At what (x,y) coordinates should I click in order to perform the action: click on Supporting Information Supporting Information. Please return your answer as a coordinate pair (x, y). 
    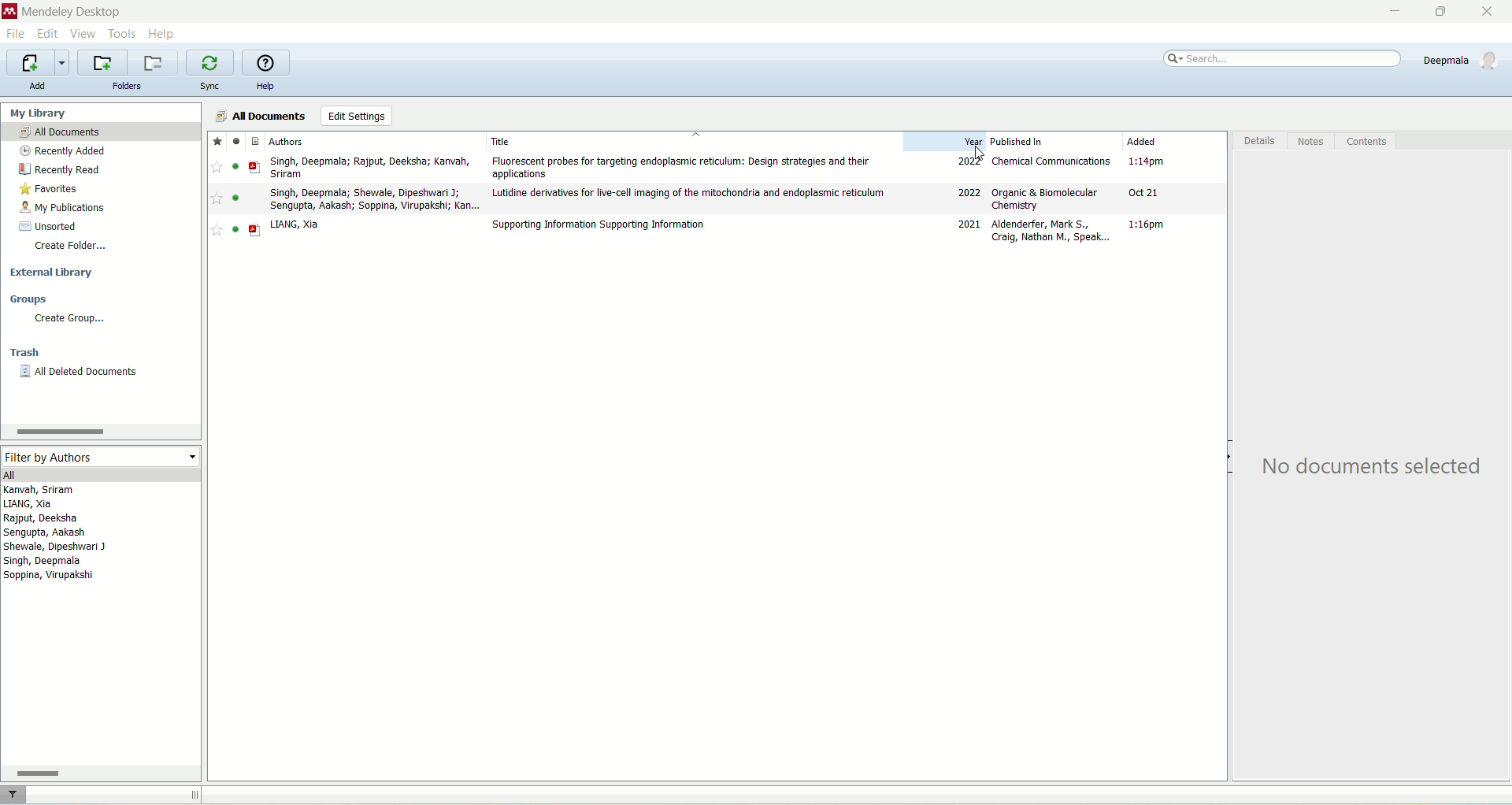
    Looking at the image, I should click on (598, 225).